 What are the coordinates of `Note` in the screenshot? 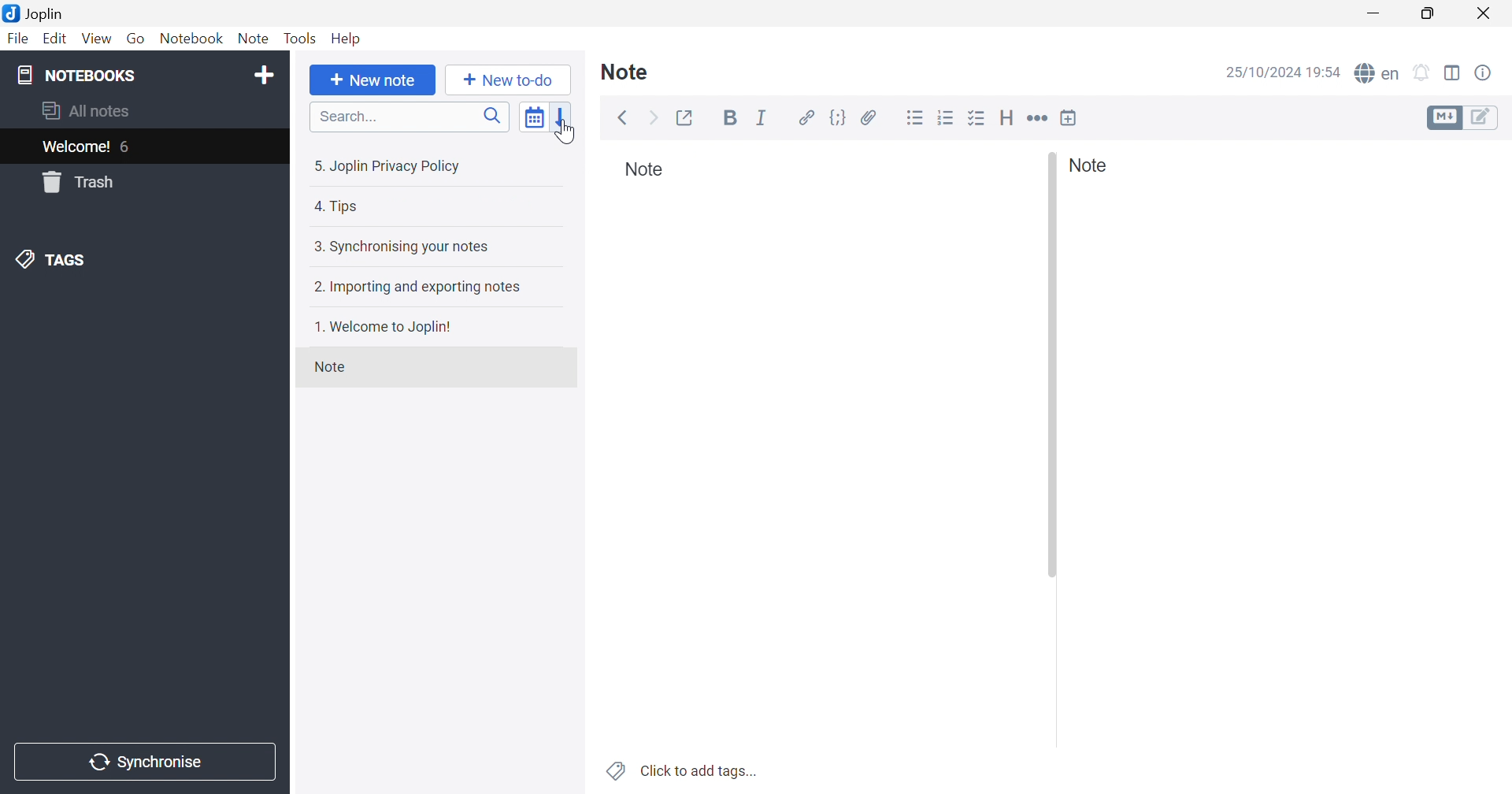 It's located at (1088, 165).